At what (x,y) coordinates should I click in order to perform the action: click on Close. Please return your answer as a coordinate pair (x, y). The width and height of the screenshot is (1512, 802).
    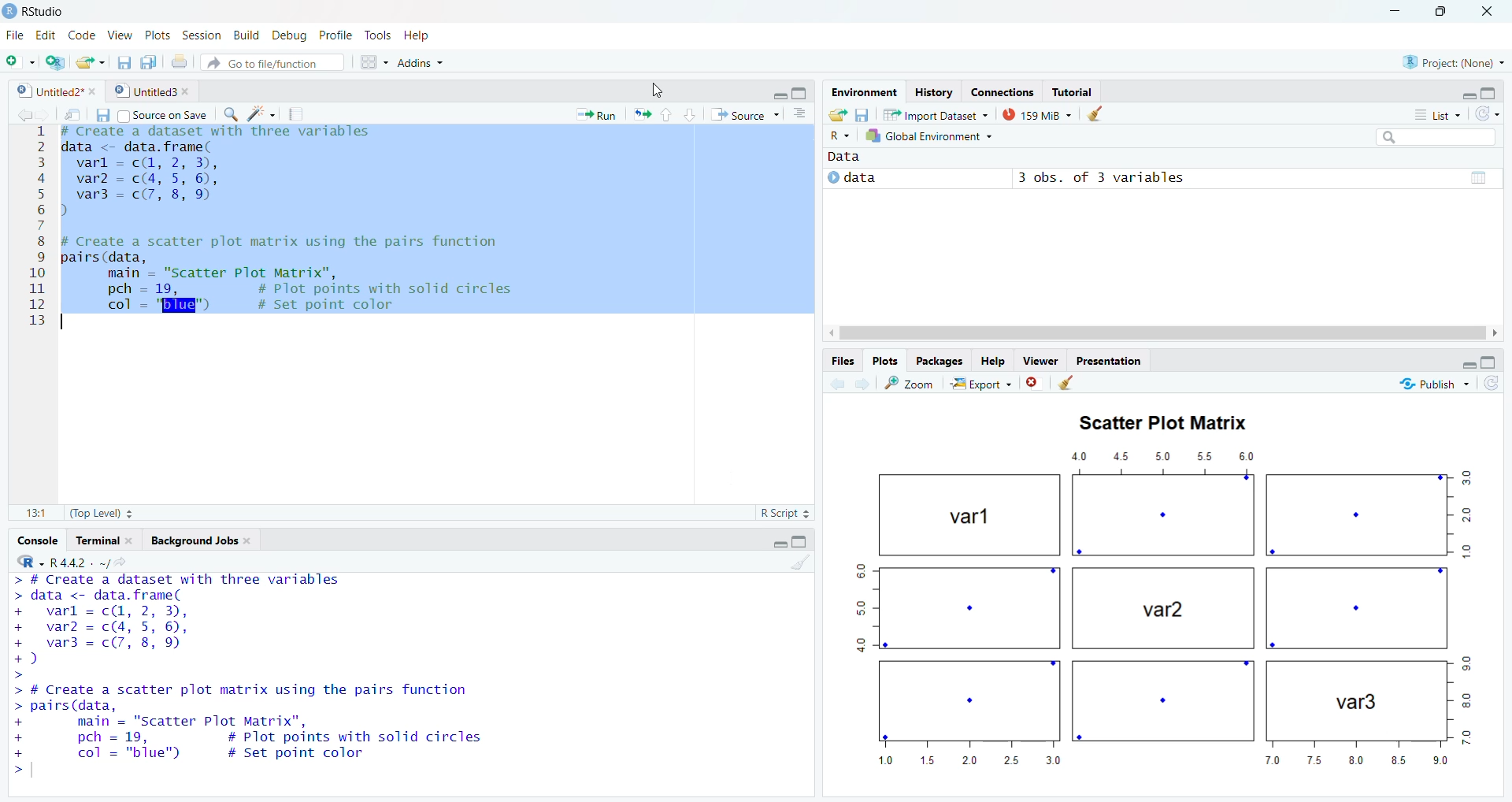
    Looking at the image, I should click on (1489, 16).